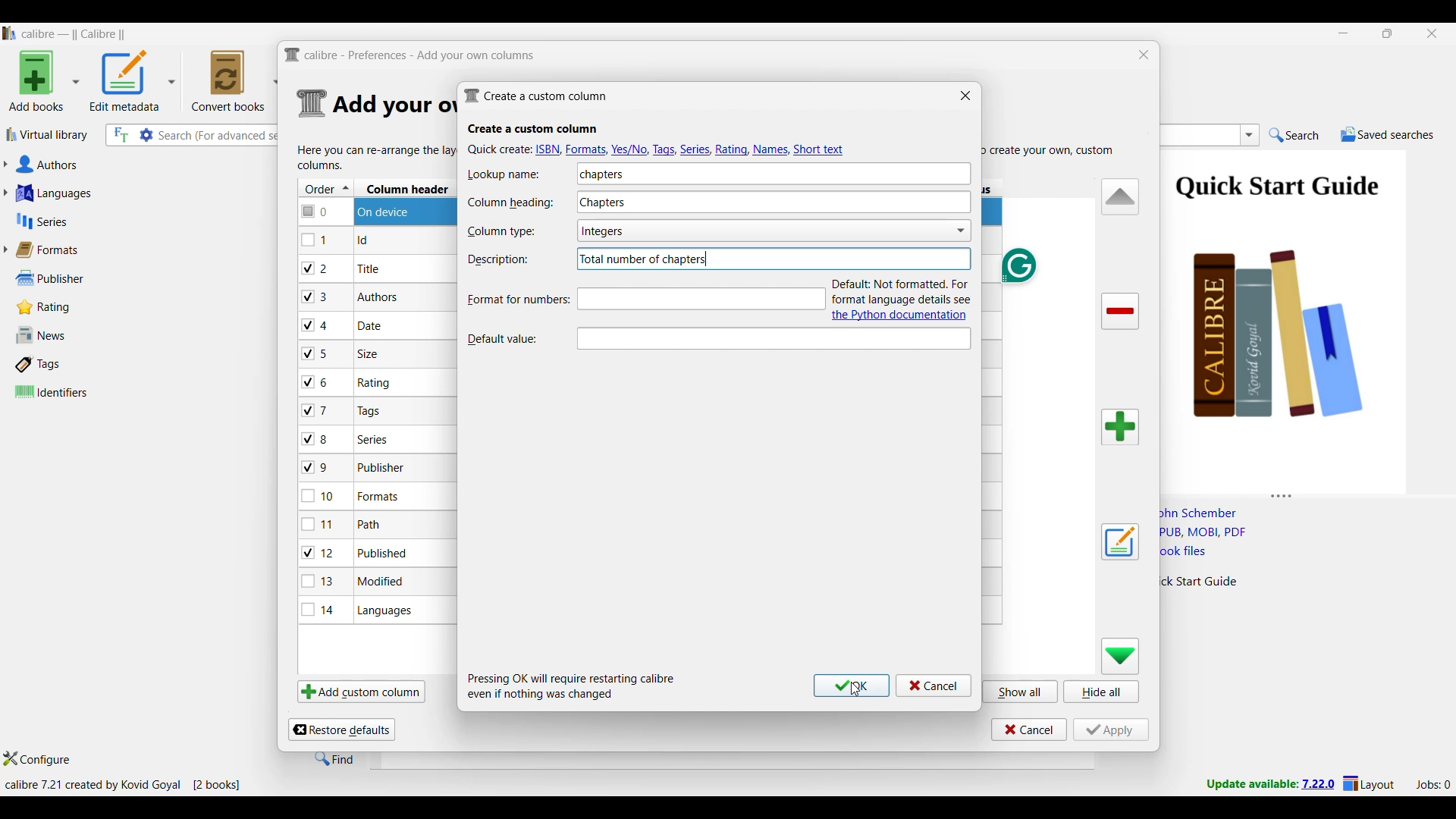 The width and height of the screenshot is (1456, 819). What do you see at coordinates (326, 188) in the screenshot?
I see `Order column, current sorting` at bounding box center [326, 188].